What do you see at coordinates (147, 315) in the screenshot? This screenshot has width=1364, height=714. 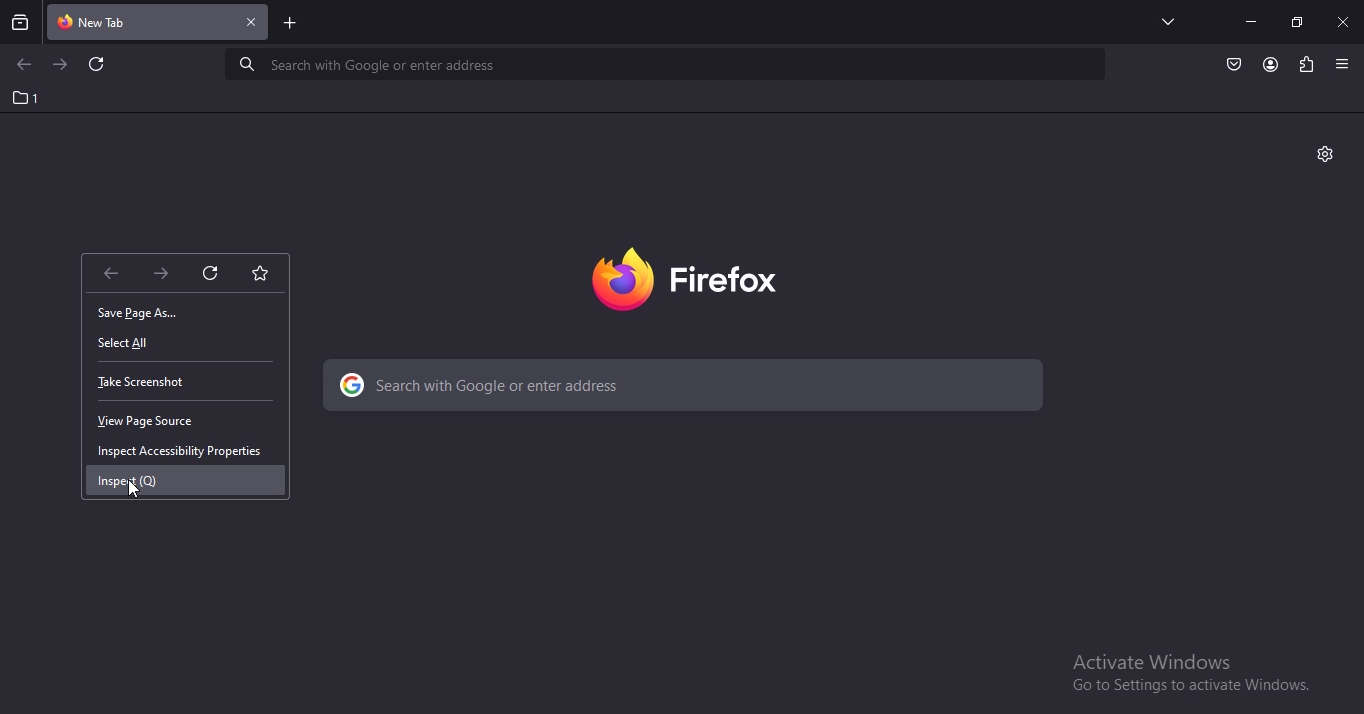 I see `save page as ` at bounding box center [147, 315].